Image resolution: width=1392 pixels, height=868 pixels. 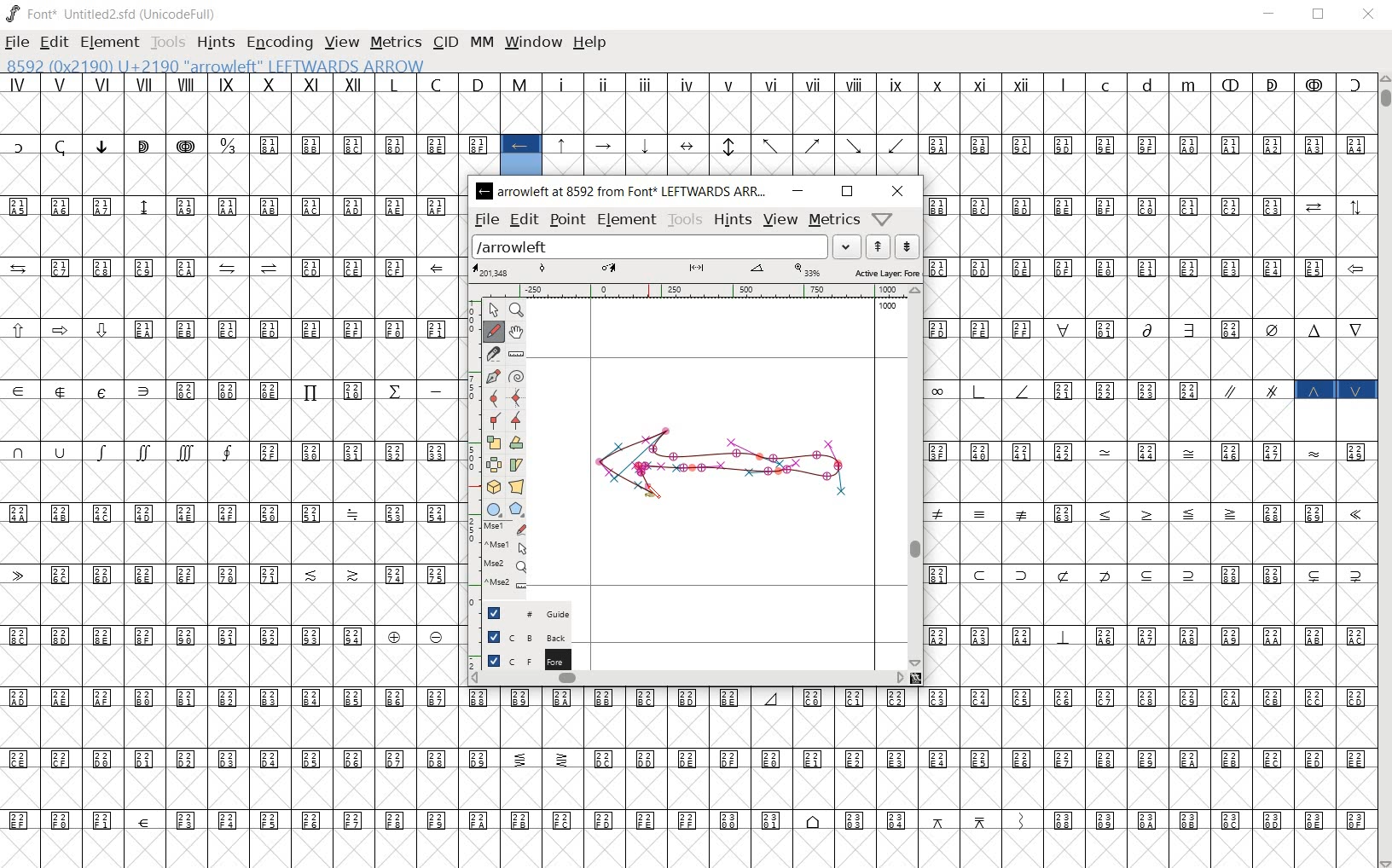 What do you see at coordinates (281, 44) in the screenshot?
I see `encoding` at bounding box center [281, 44].